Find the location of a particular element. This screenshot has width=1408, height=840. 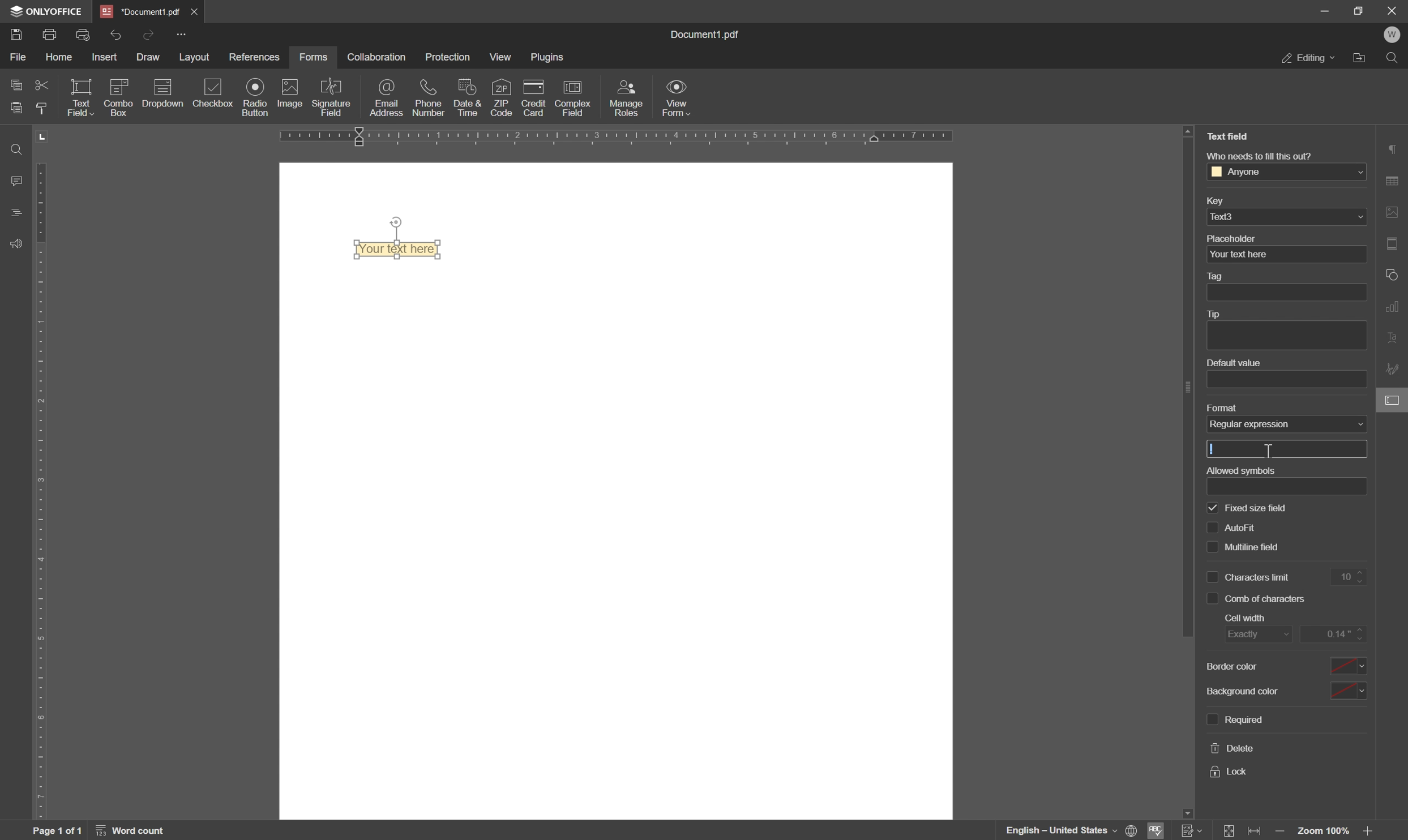

copy is located at coordinates (13, 85).